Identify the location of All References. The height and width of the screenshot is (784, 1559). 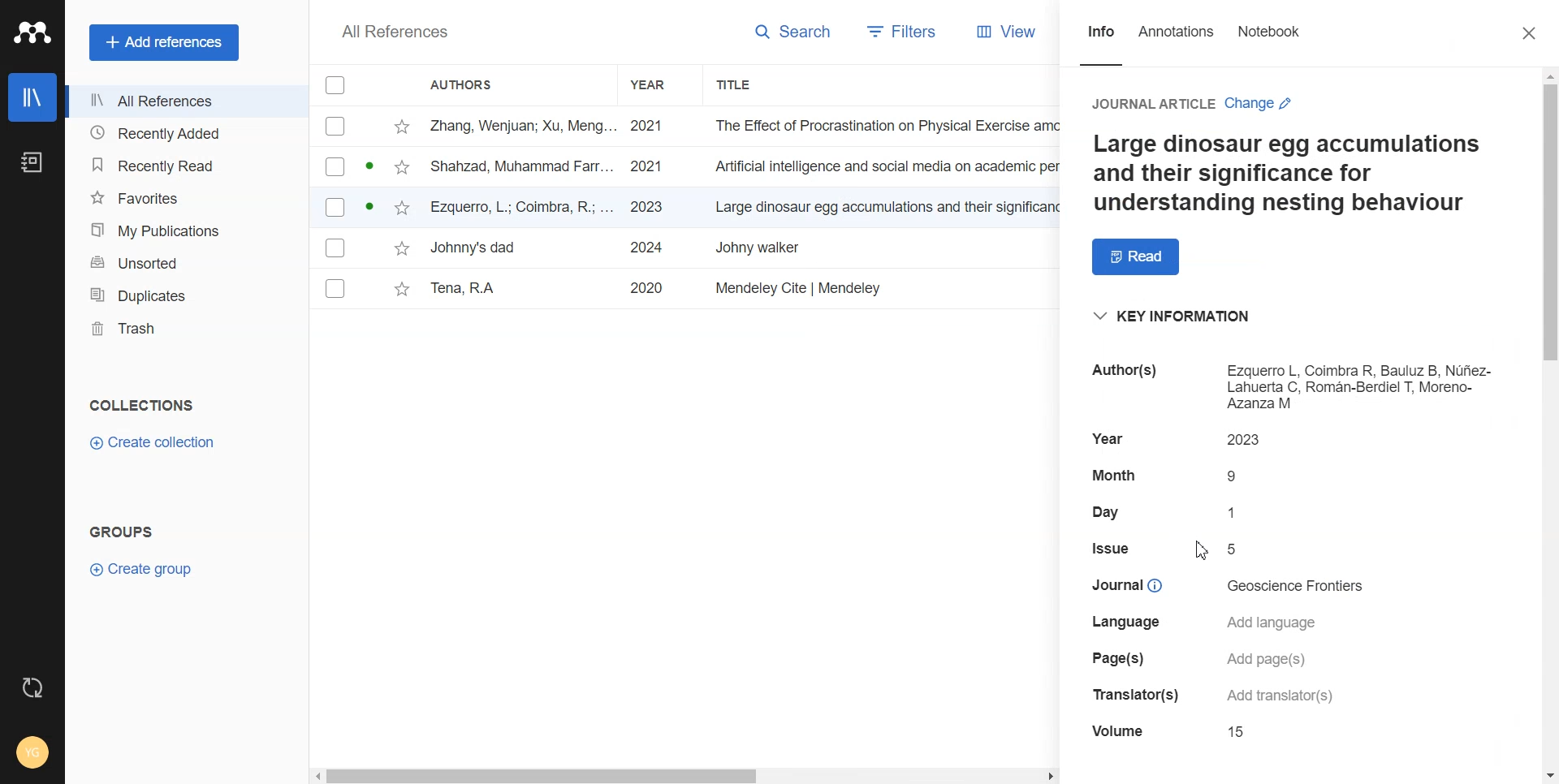
(185, 99).